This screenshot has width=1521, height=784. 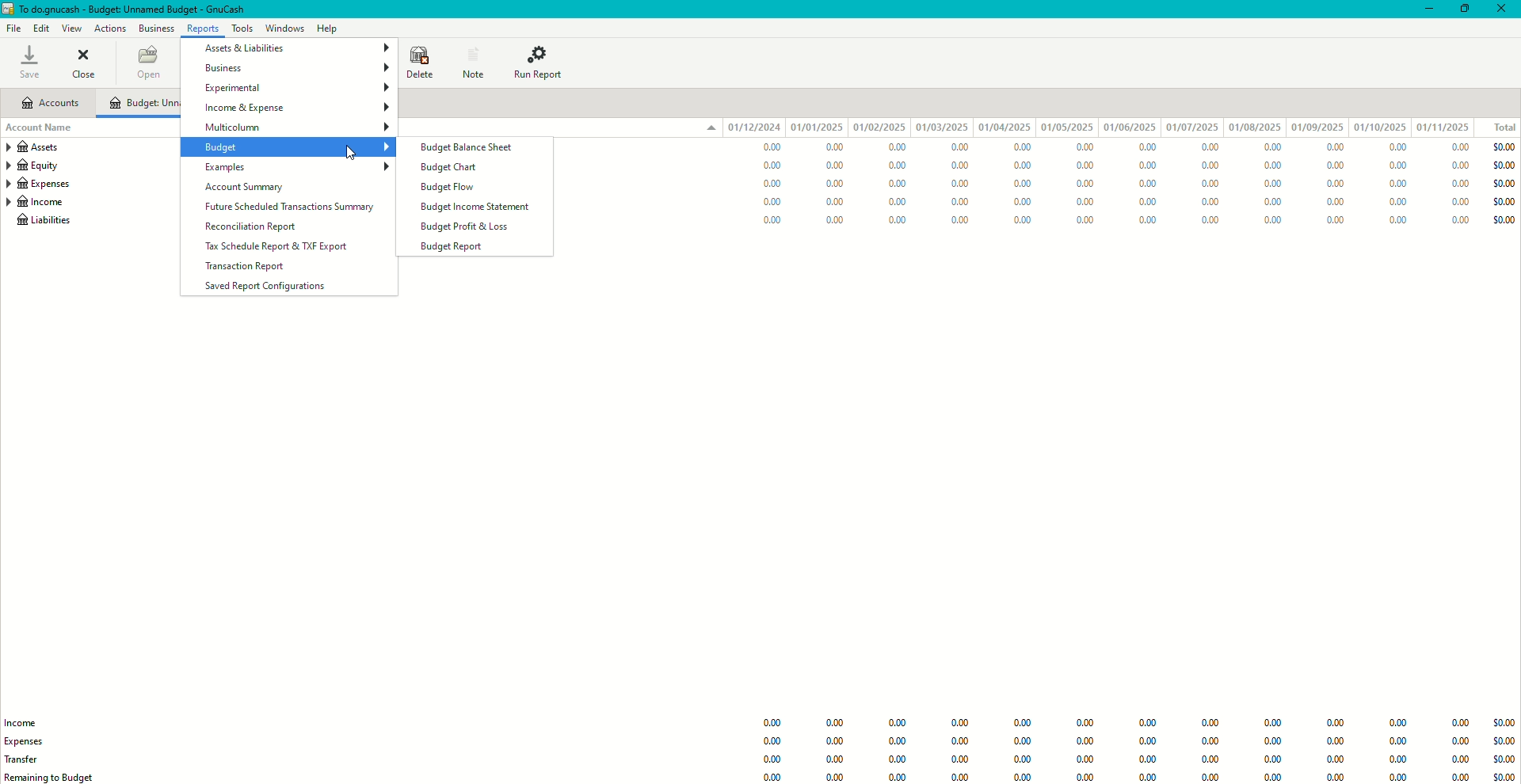 What do you see at coordinates (1394, 760) in the screenshot?
I see `0.00` at bounding box center [1394, 760].